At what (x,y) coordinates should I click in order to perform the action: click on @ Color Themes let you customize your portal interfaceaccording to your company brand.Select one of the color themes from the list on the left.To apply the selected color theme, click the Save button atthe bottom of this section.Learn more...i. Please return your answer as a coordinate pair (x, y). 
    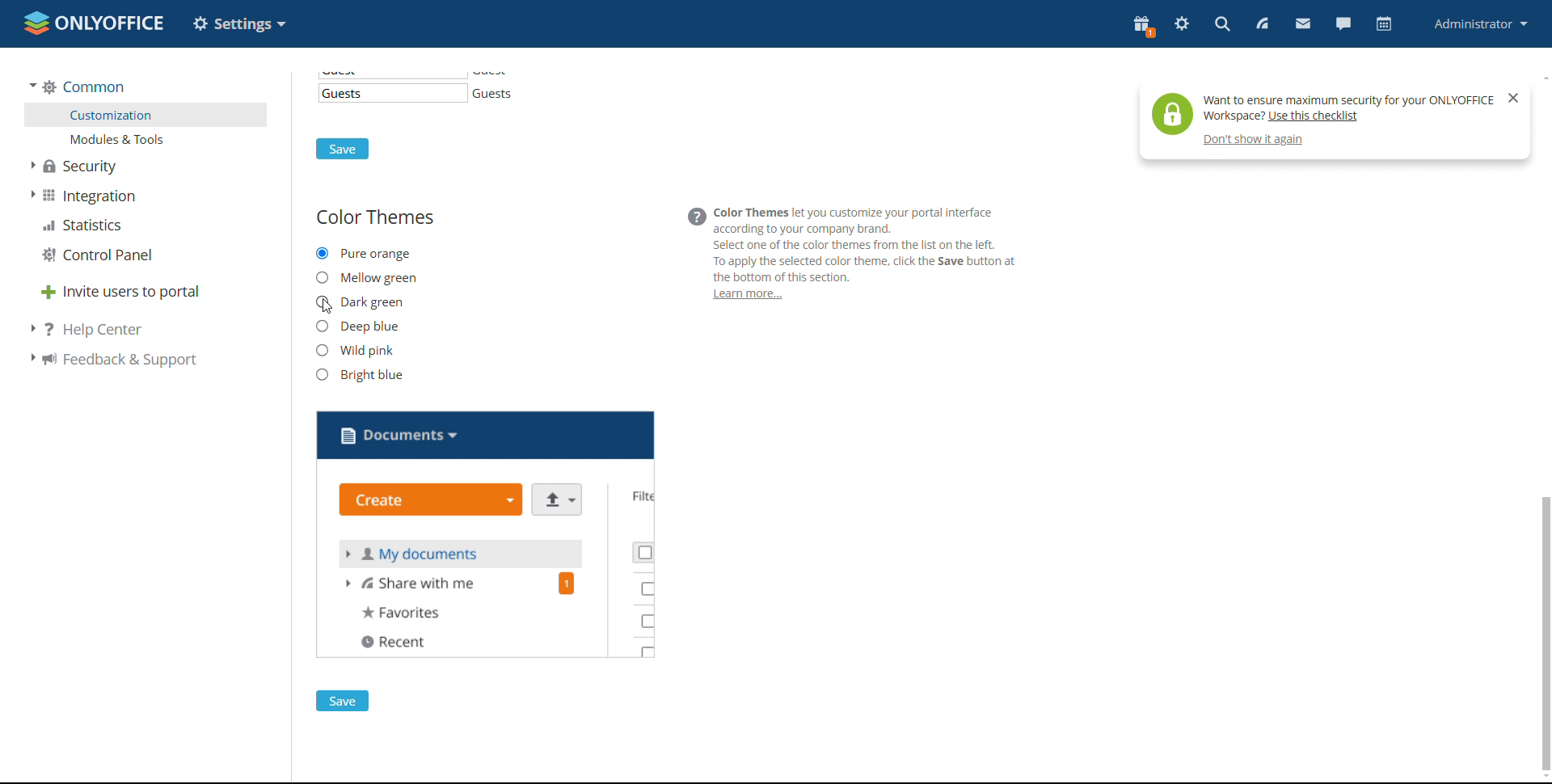
    Looking at the image, I should click on (855, 255).